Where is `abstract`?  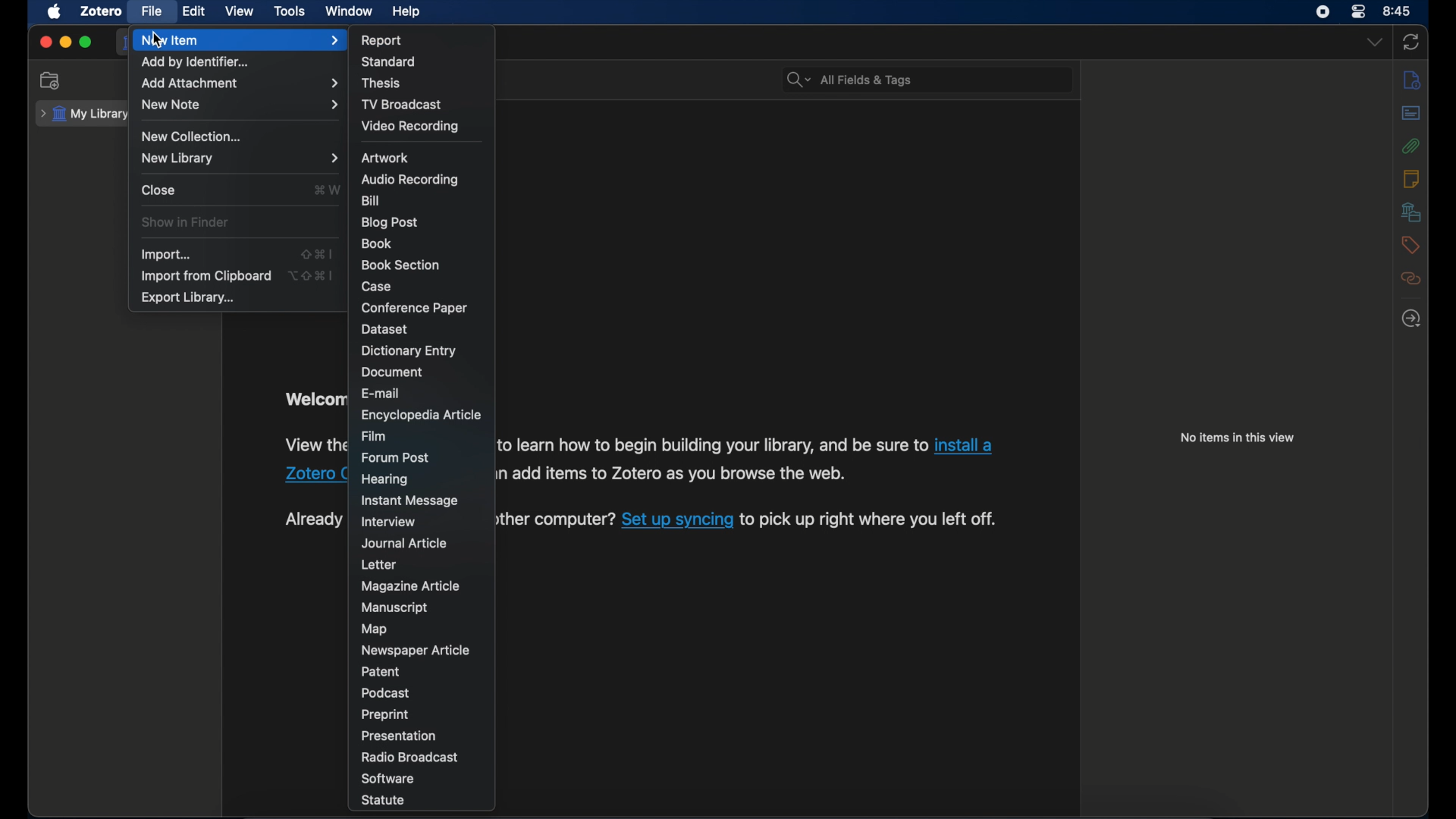 abstract is located at coordinates (1411, 112).